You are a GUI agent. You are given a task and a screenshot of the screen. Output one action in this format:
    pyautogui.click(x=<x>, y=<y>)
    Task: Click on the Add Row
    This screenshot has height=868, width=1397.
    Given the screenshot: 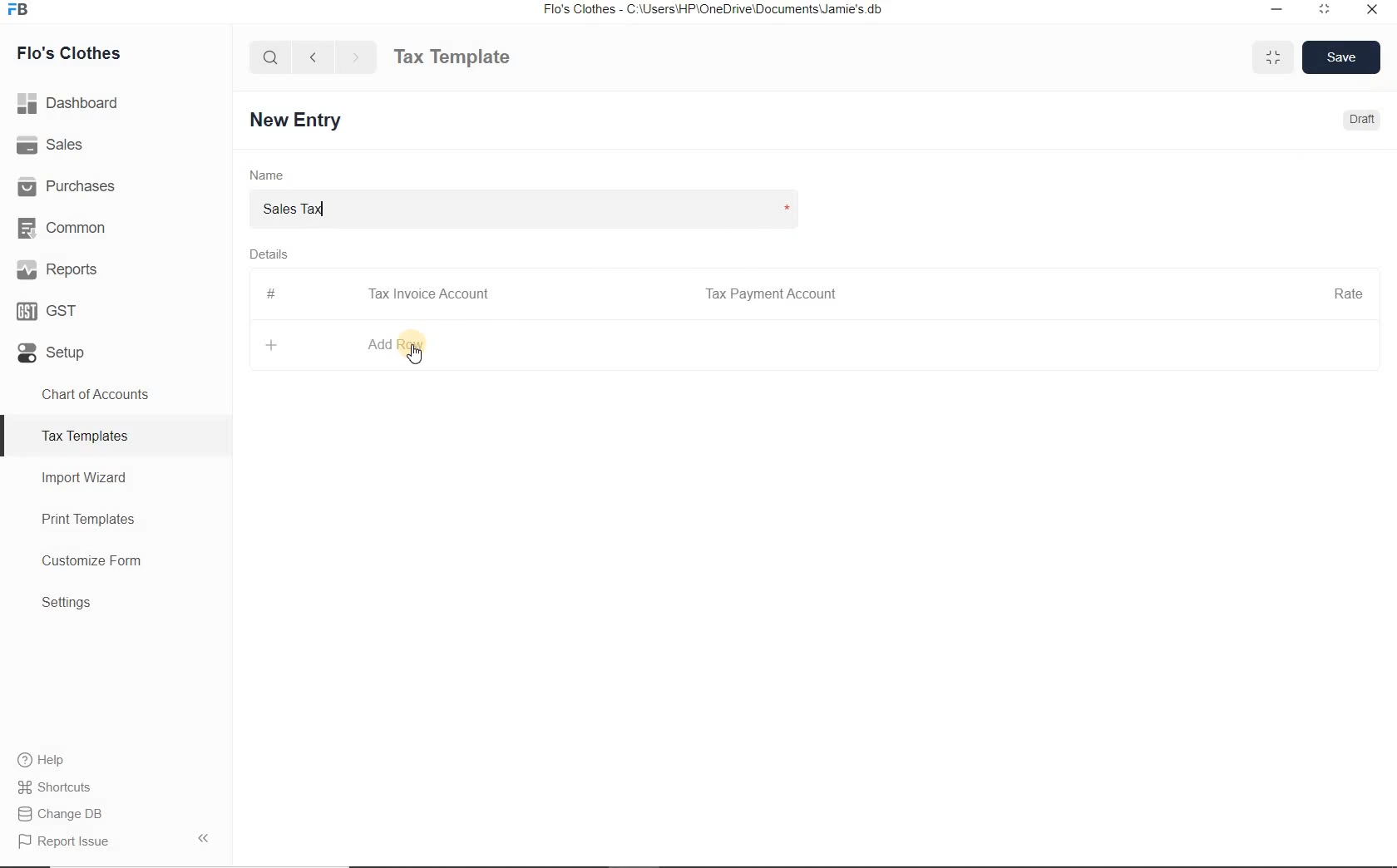 What is the action you would take?
    pyautogui.click(x=398, y=344)
    